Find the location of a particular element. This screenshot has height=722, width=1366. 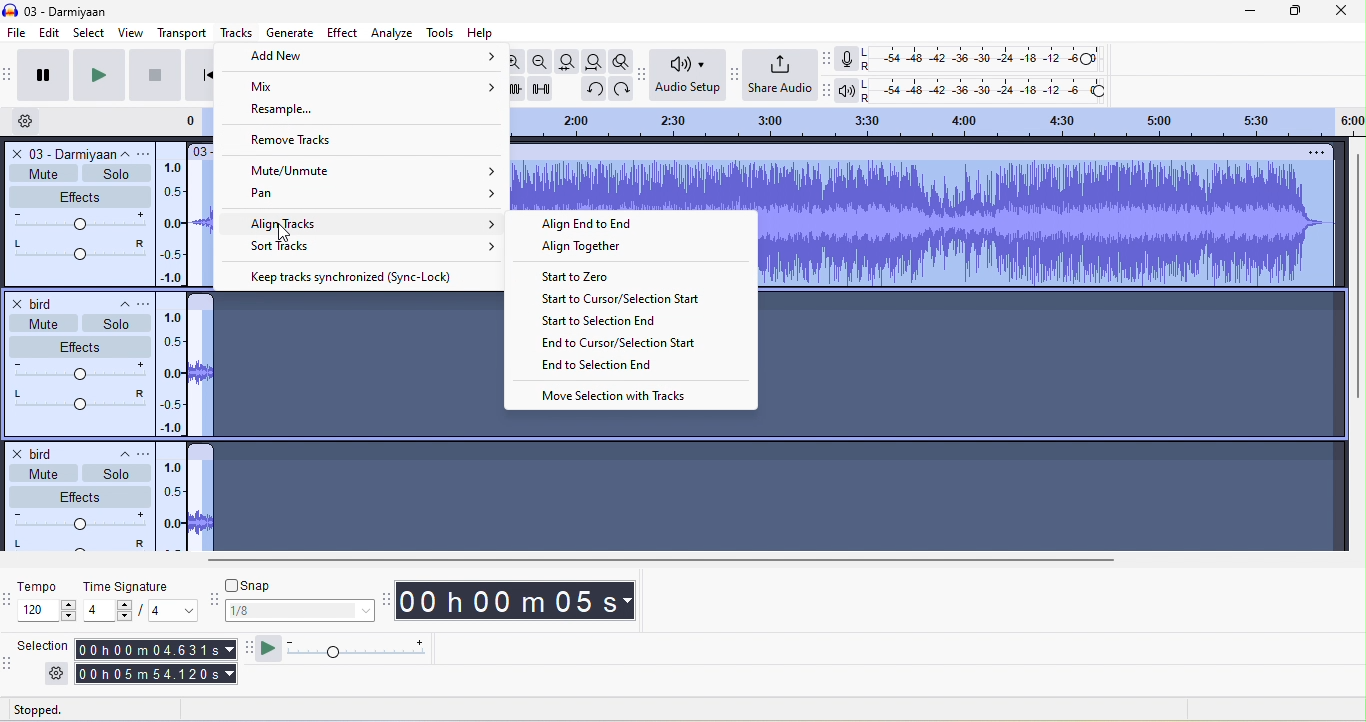

record meter is located at coordinates (848, 61).